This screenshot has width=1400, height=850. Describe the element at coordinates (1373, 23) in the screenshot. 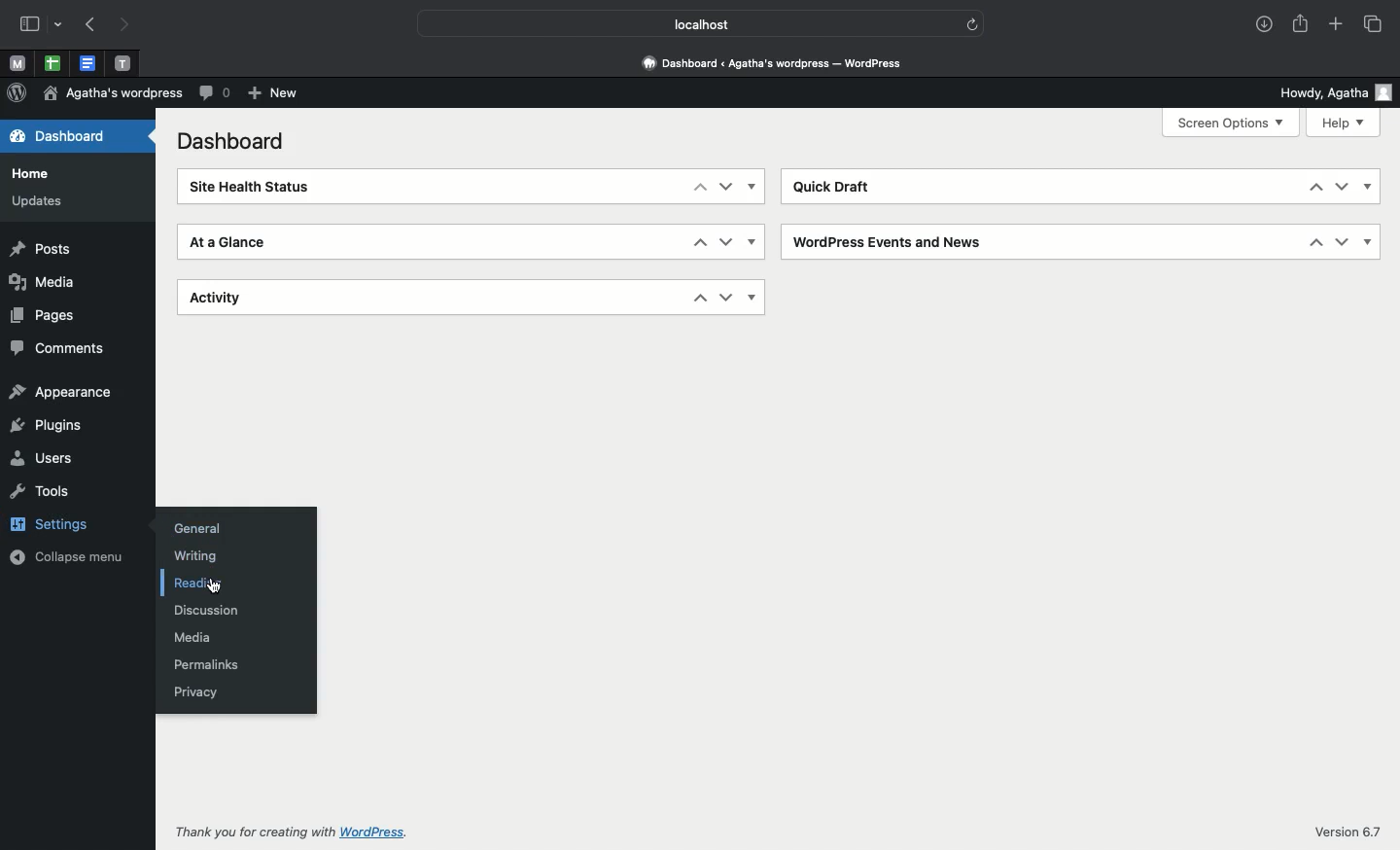

I see `Tabs` at that location.